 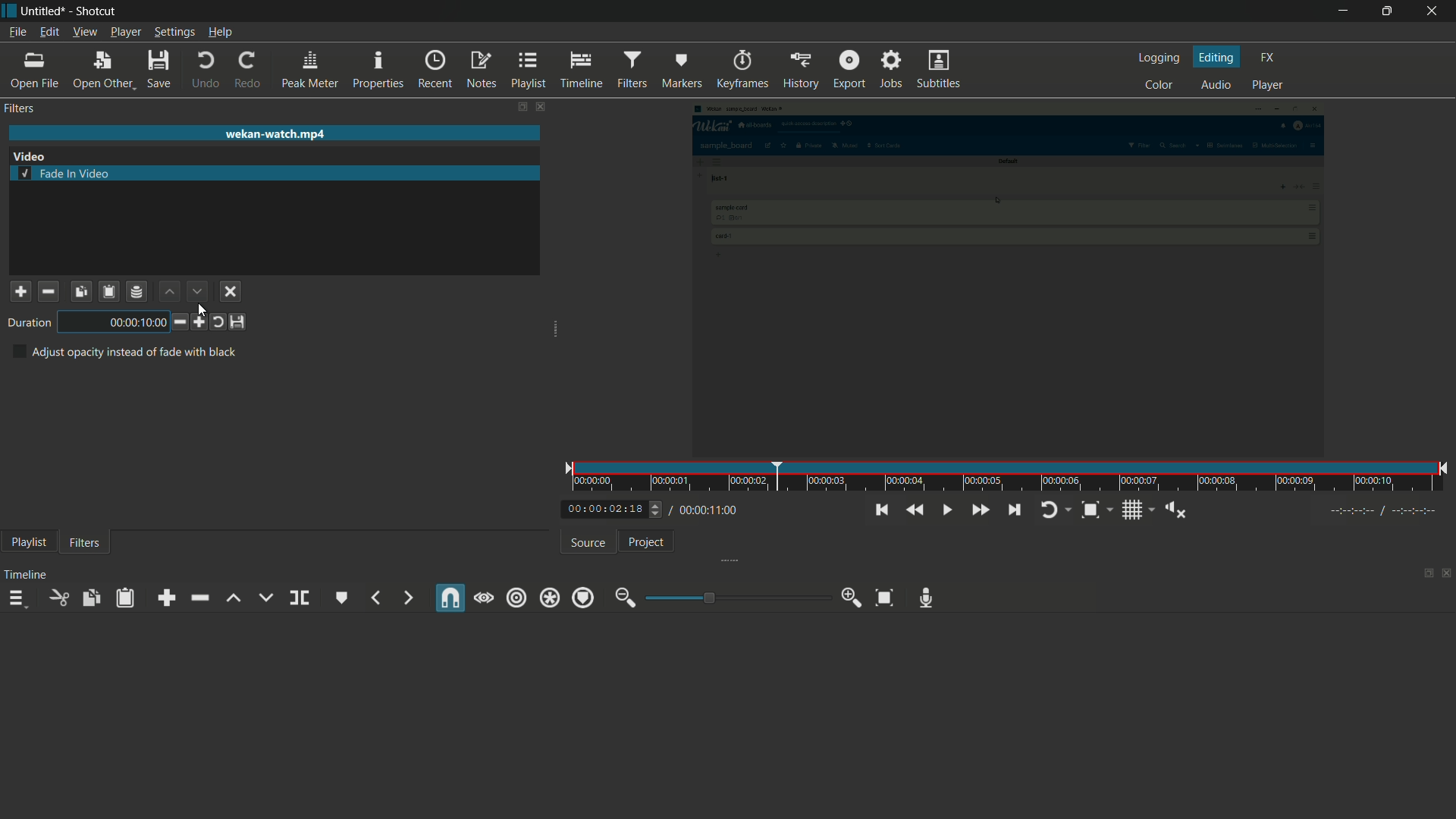 I want to click on add a filter, so click(x=20, y=291).